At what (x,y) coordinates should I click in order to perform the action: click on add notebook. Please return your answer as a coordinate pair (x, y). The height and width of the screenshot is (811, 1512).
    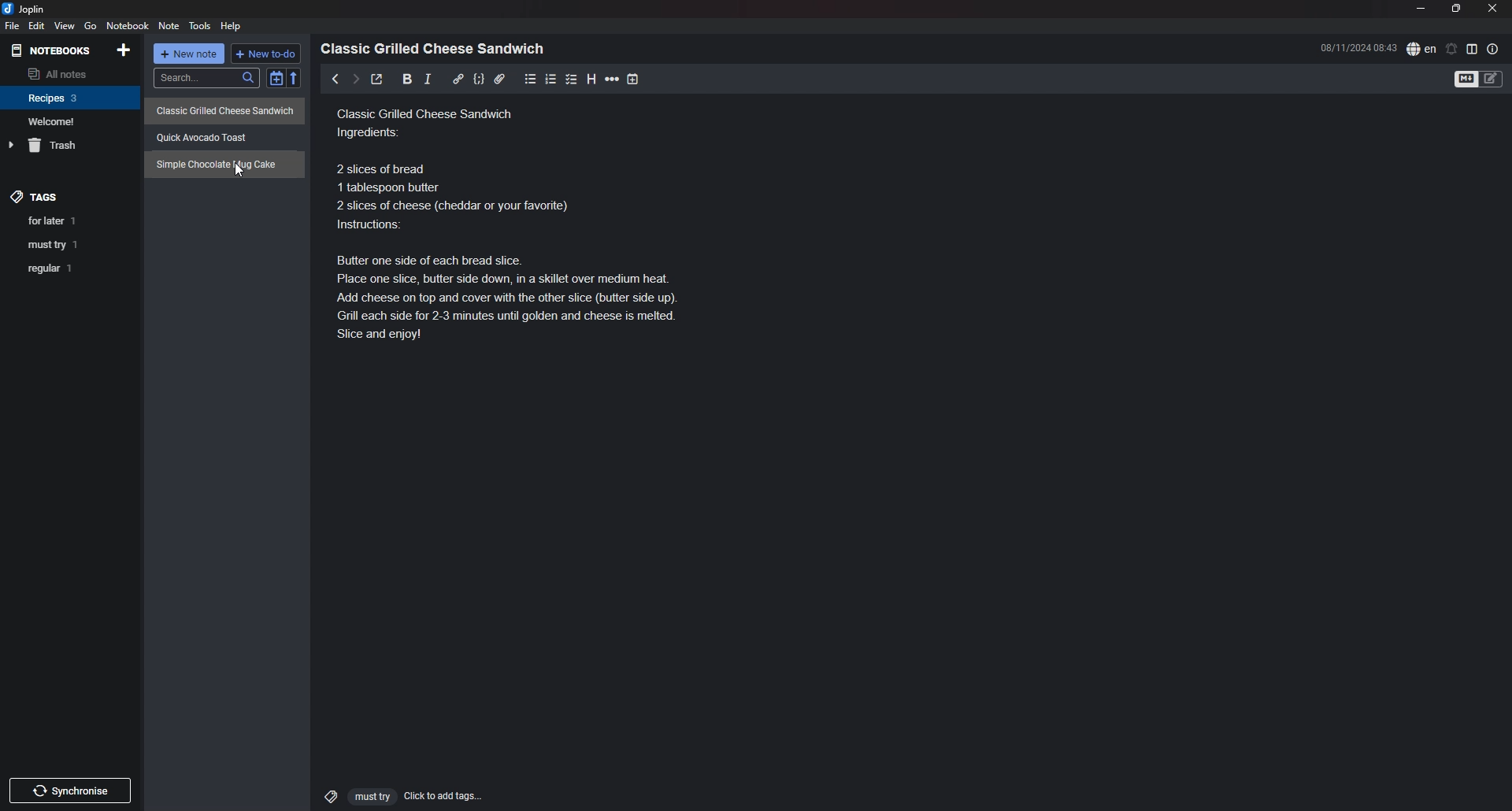
    Looking at the image, I should click on (125, 49).